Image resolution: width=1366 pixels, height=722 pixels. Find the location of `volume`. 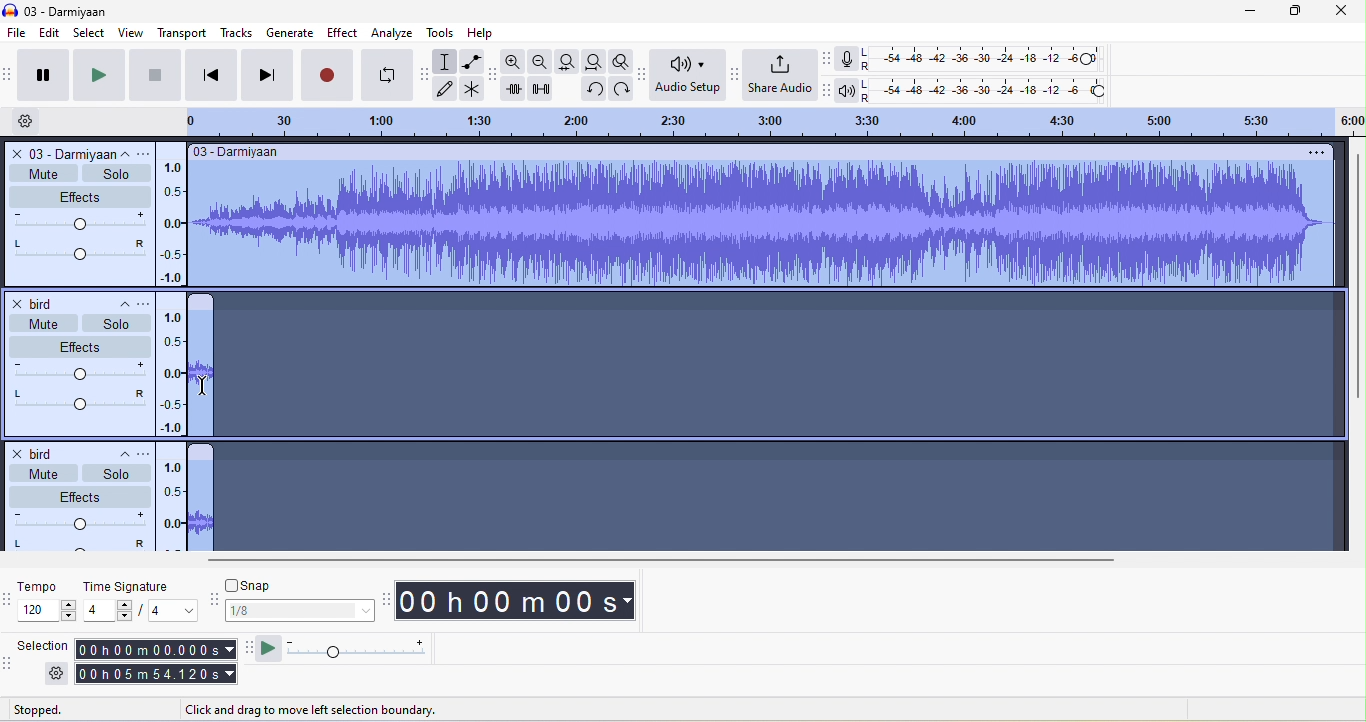

volume is located at coordinates (79, 222).